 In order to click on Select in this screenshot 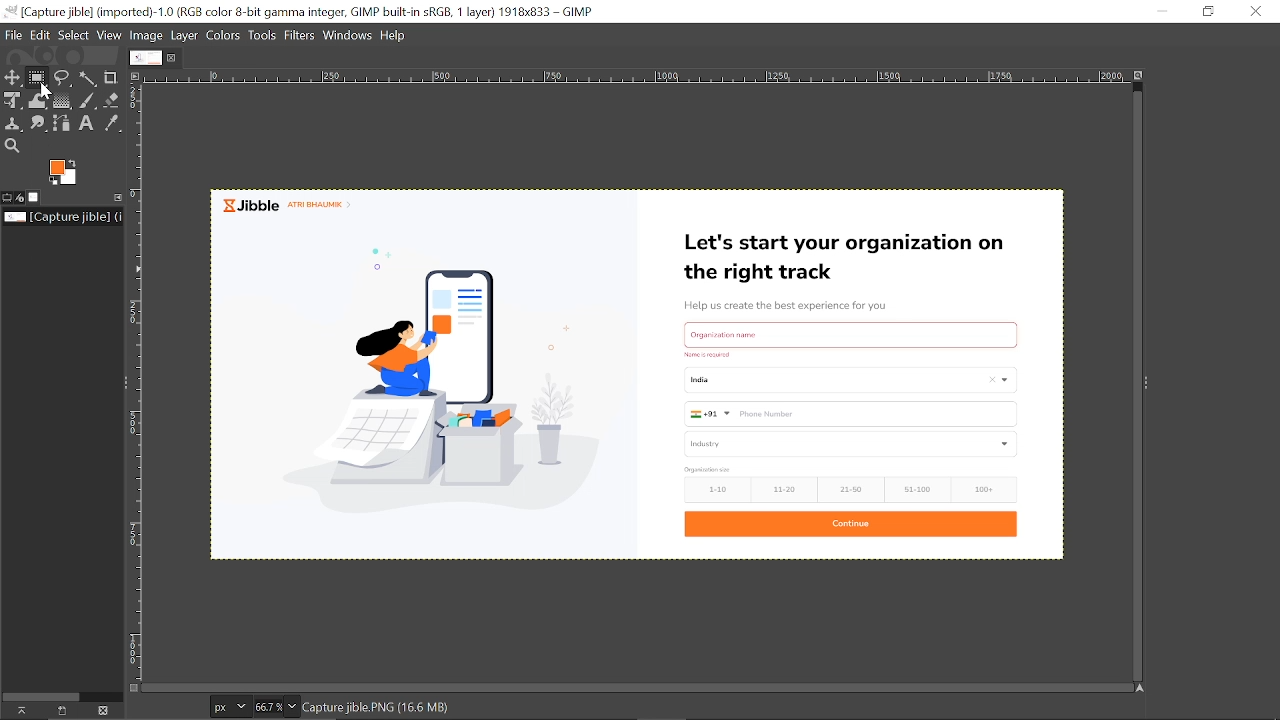, I will do `click(74, 34)`.